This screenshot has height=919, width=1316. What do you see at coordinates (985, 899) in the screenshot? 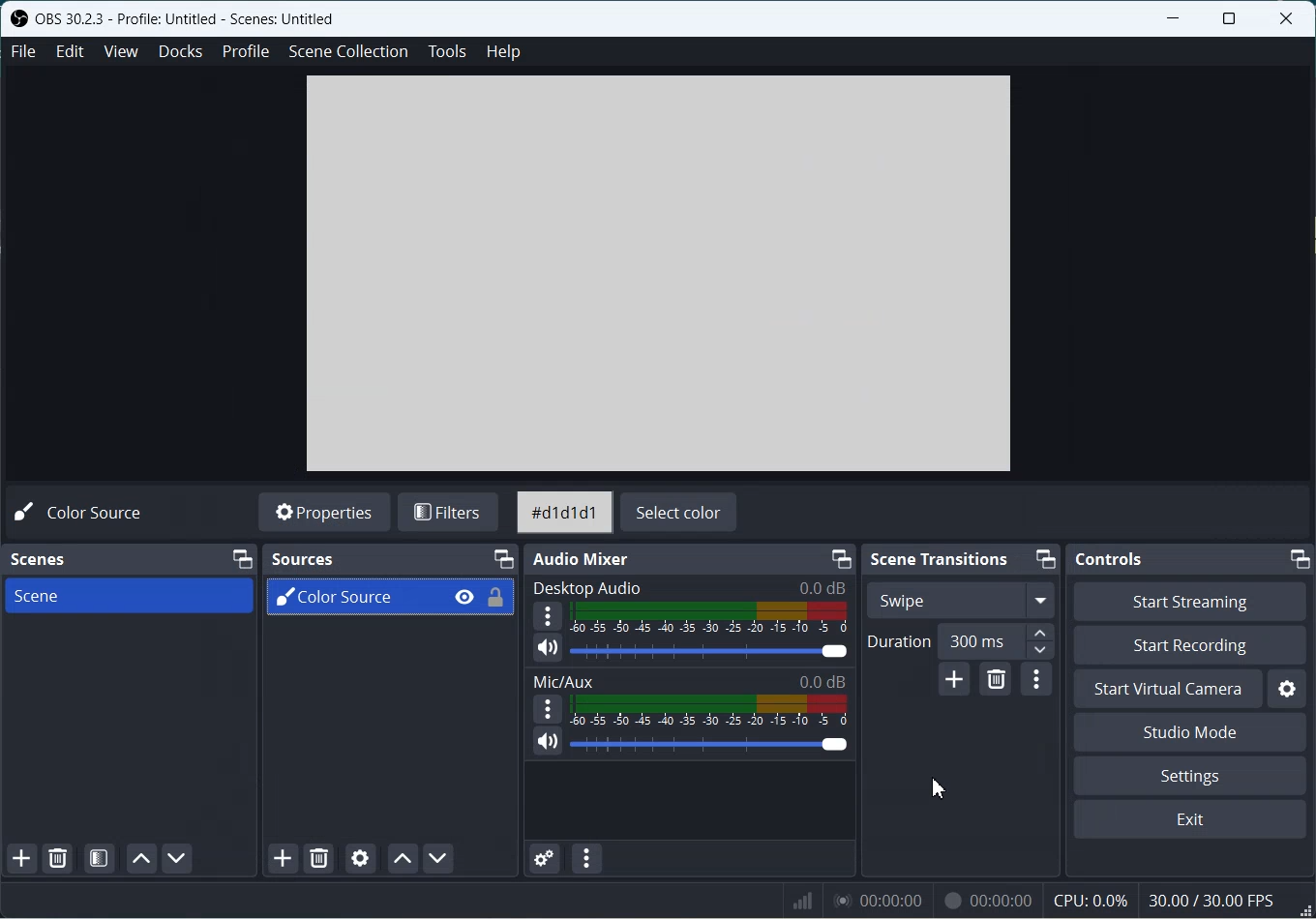
I see `00:00:00` at bounding box center [985, 899].